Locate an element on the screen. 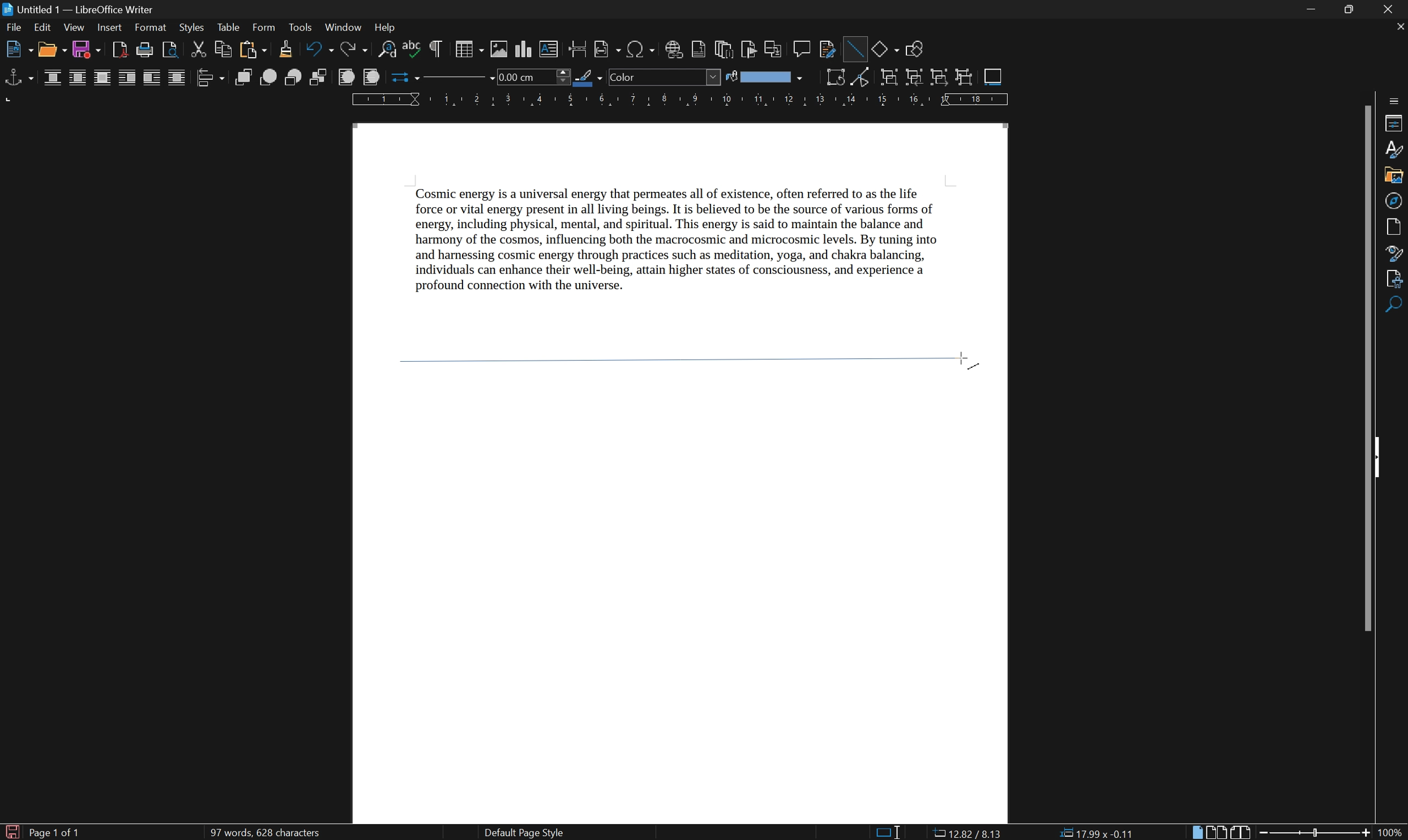 Image resolution: width=1408 pixels, height=840 pixels. book view is located at coordinates (1241, 832).